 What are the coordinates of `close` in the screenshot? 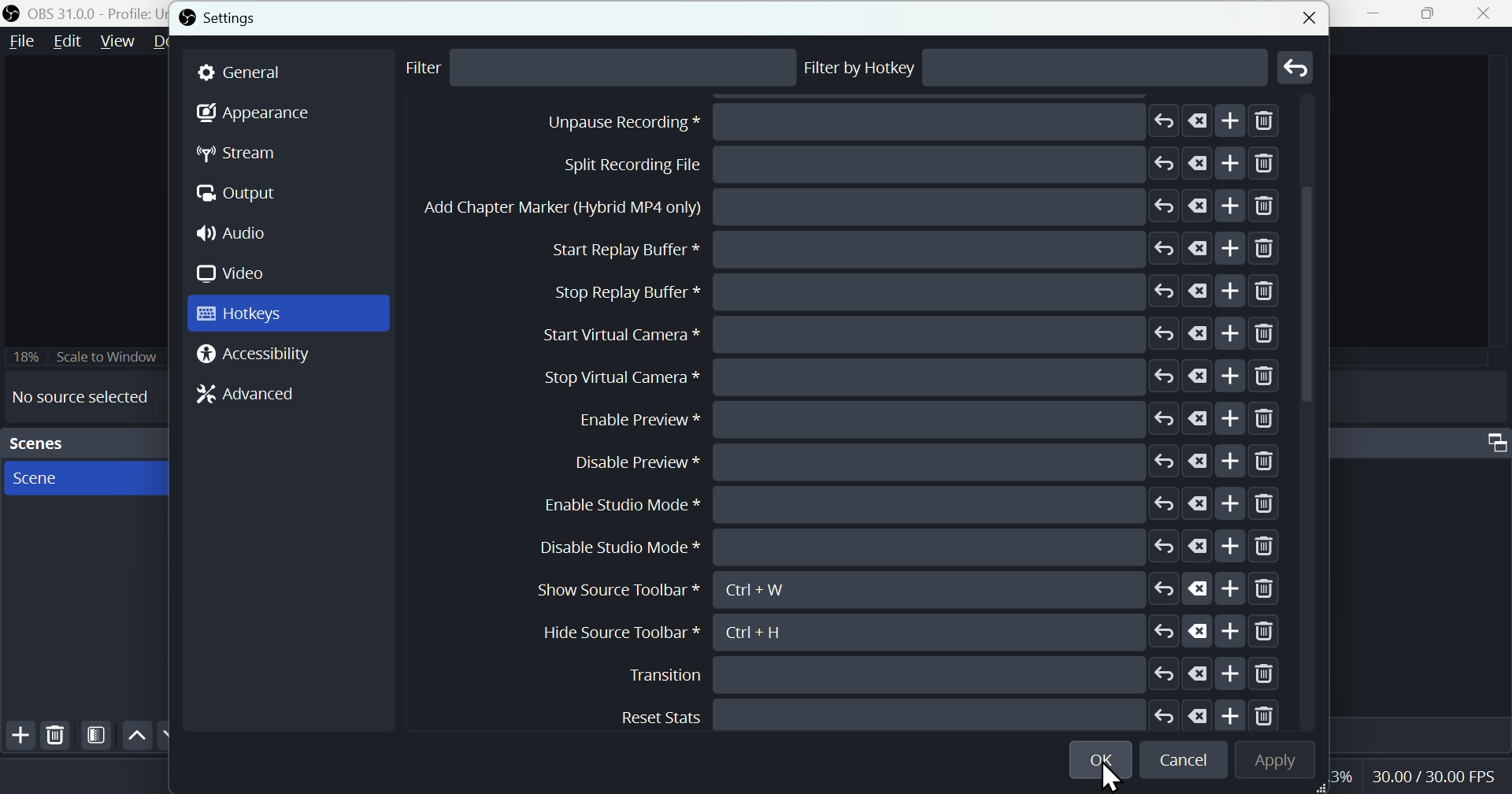 It's located at (1488, 13).